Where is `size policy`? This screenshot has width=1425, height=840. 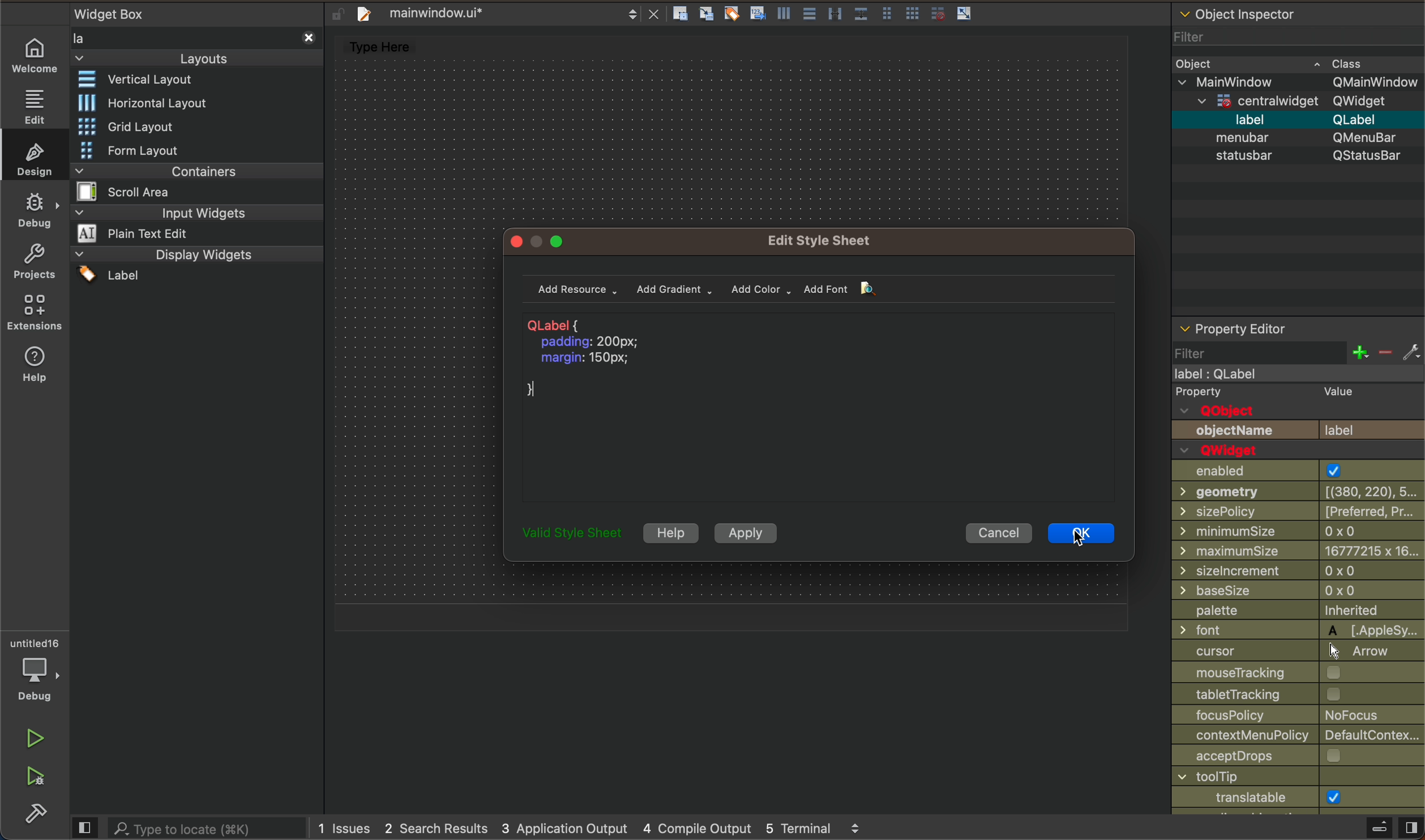 size policy is located at coordinates (1296, 513).